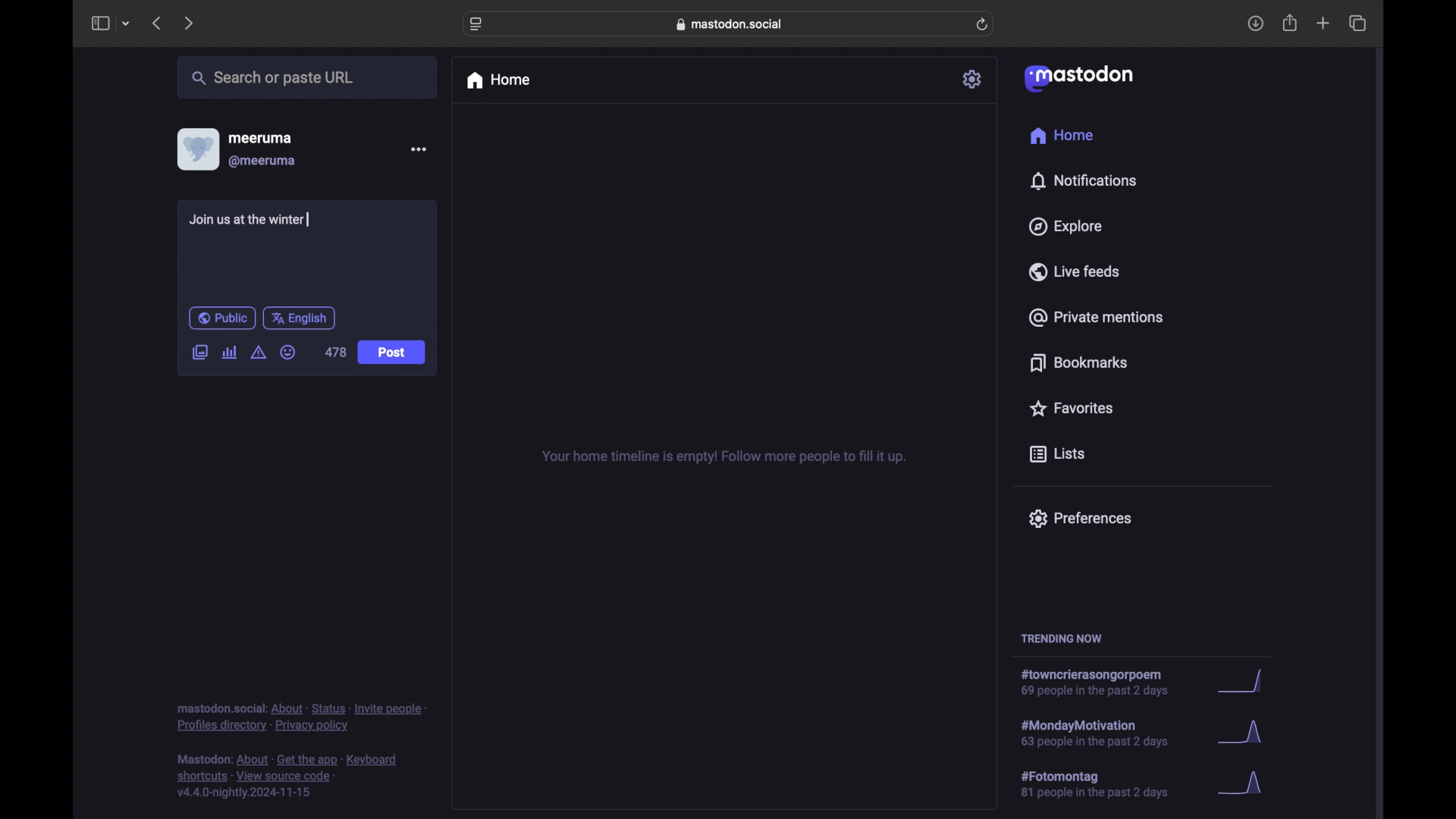 This screenshot has height=819, width=1456. I want to click on hashtag trend, so click(1105, 785).